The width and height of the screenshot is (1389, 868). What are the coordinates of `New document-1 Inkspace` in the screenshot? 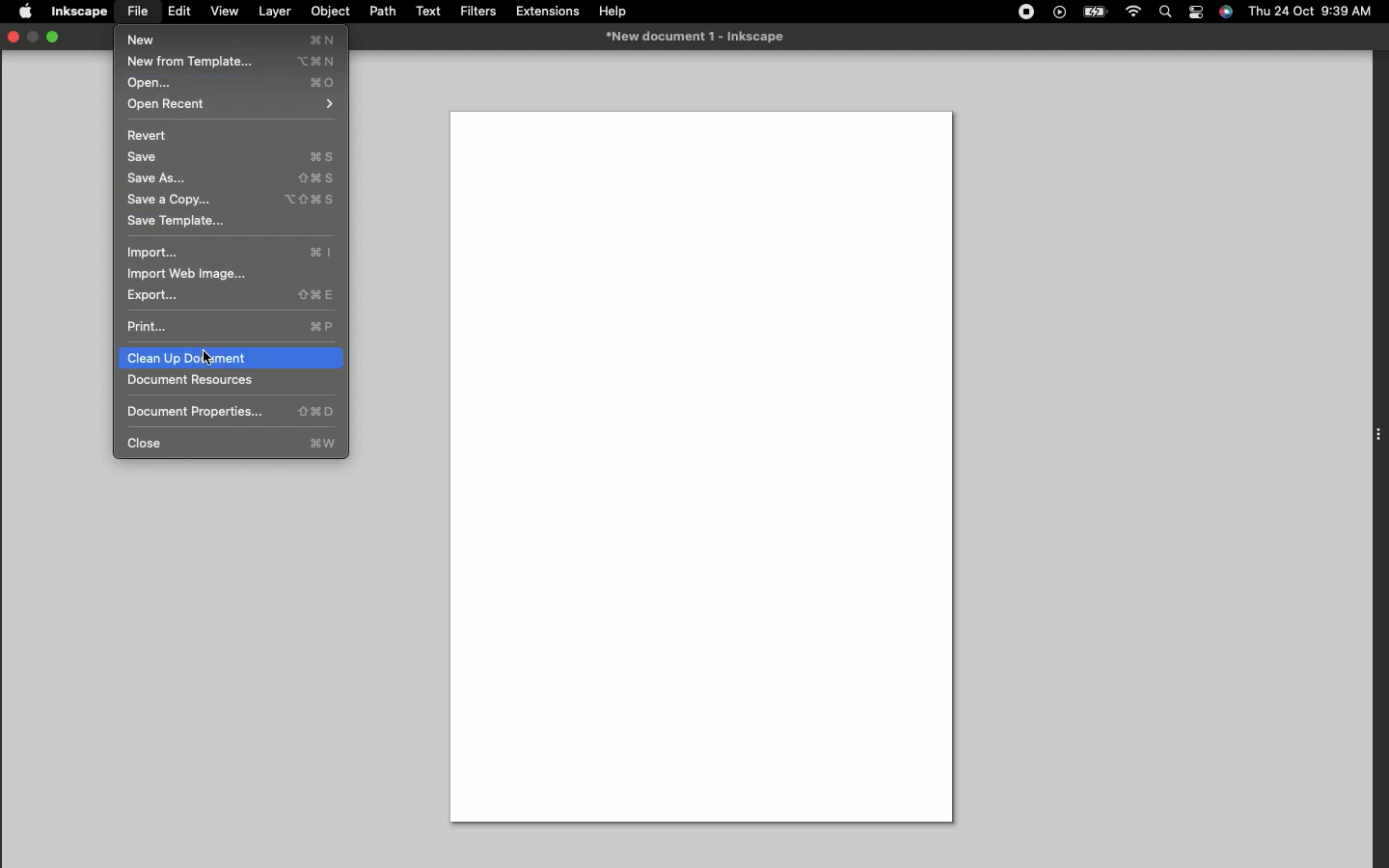 It's located at (694, 37).